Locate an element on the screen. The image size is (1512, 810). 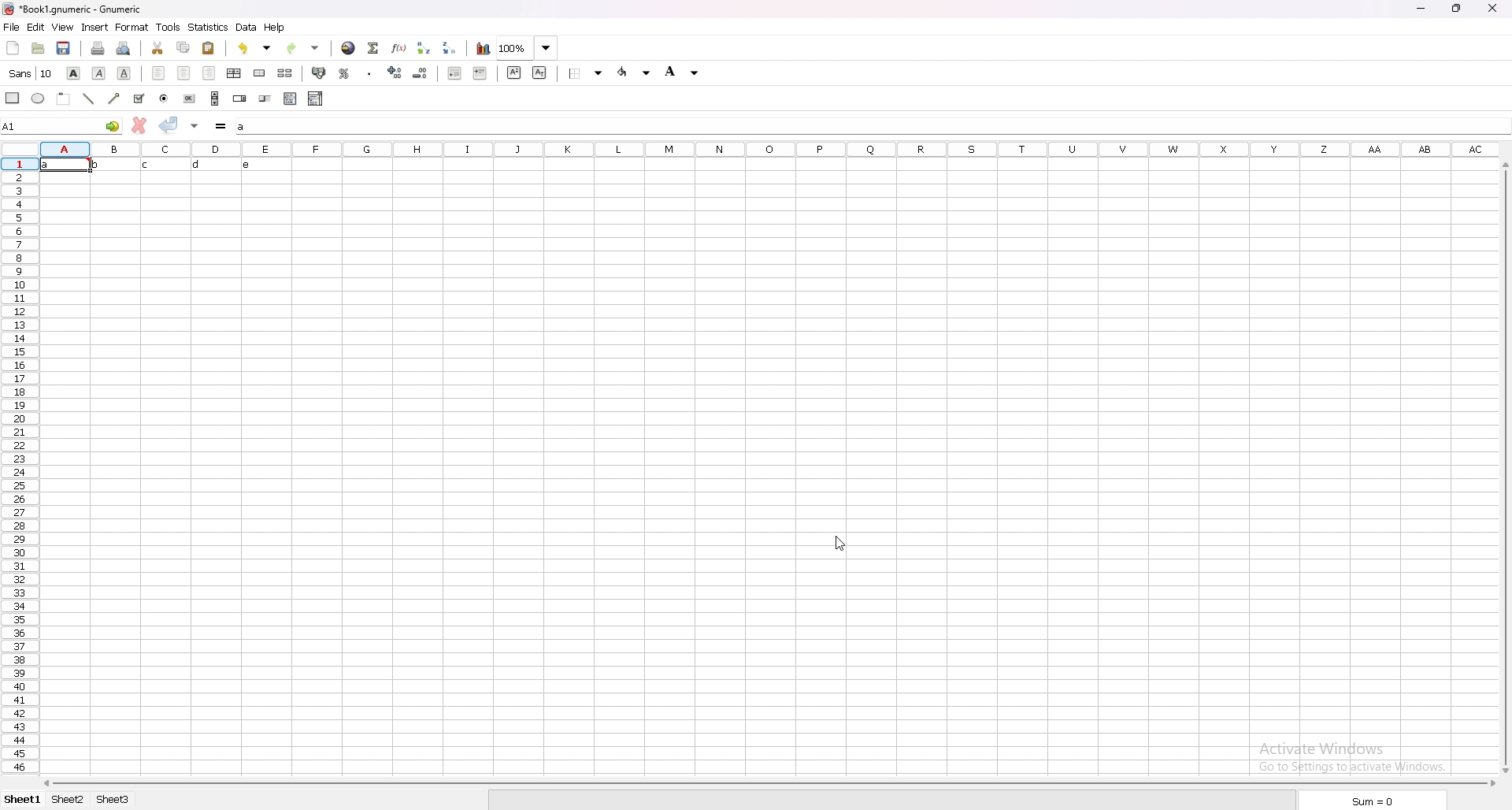
columns is located at coordinates (770, 148).